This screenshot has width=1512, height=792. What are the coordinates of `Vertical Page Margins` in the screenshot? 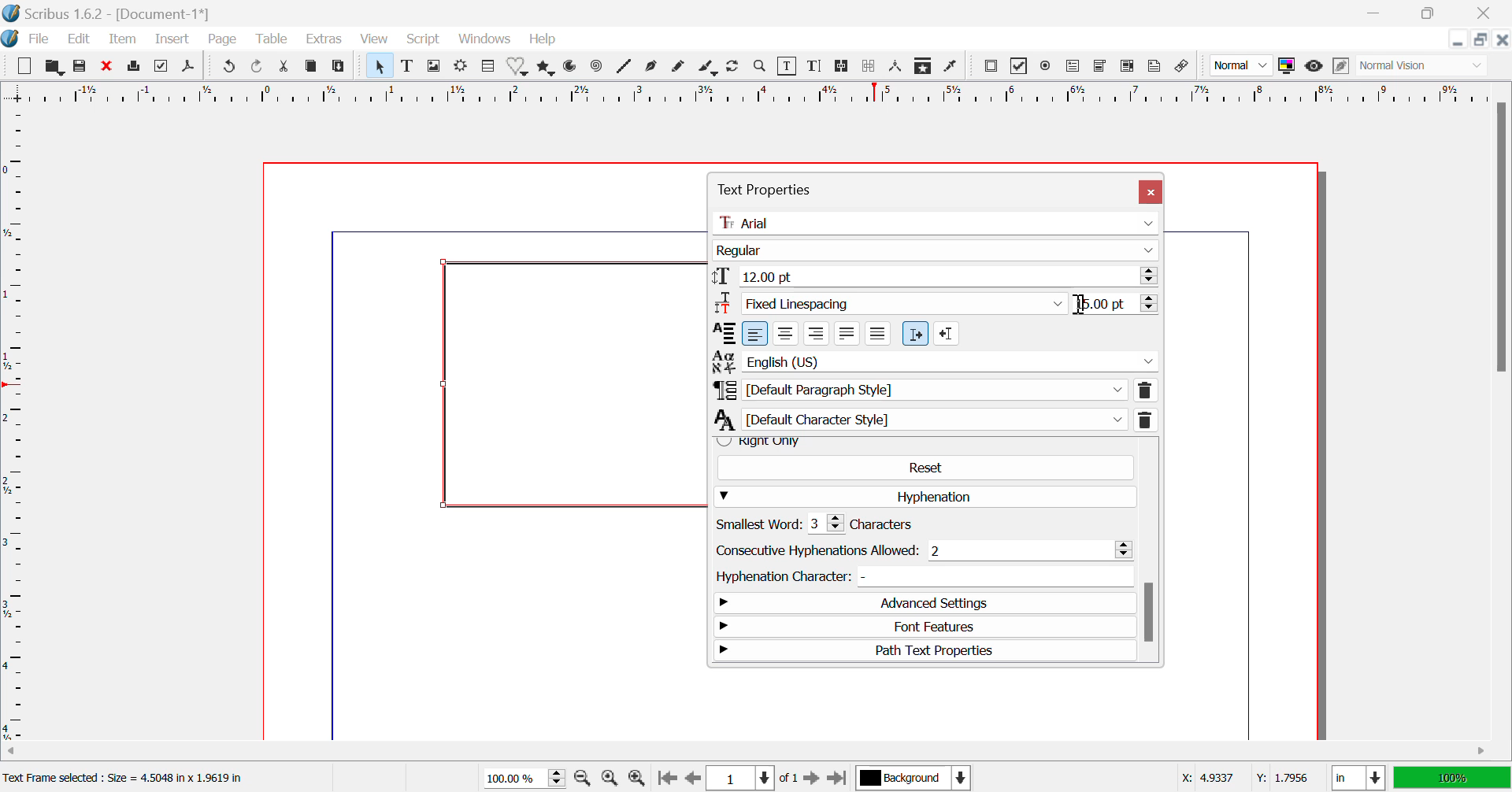 It's located at (752, 94).